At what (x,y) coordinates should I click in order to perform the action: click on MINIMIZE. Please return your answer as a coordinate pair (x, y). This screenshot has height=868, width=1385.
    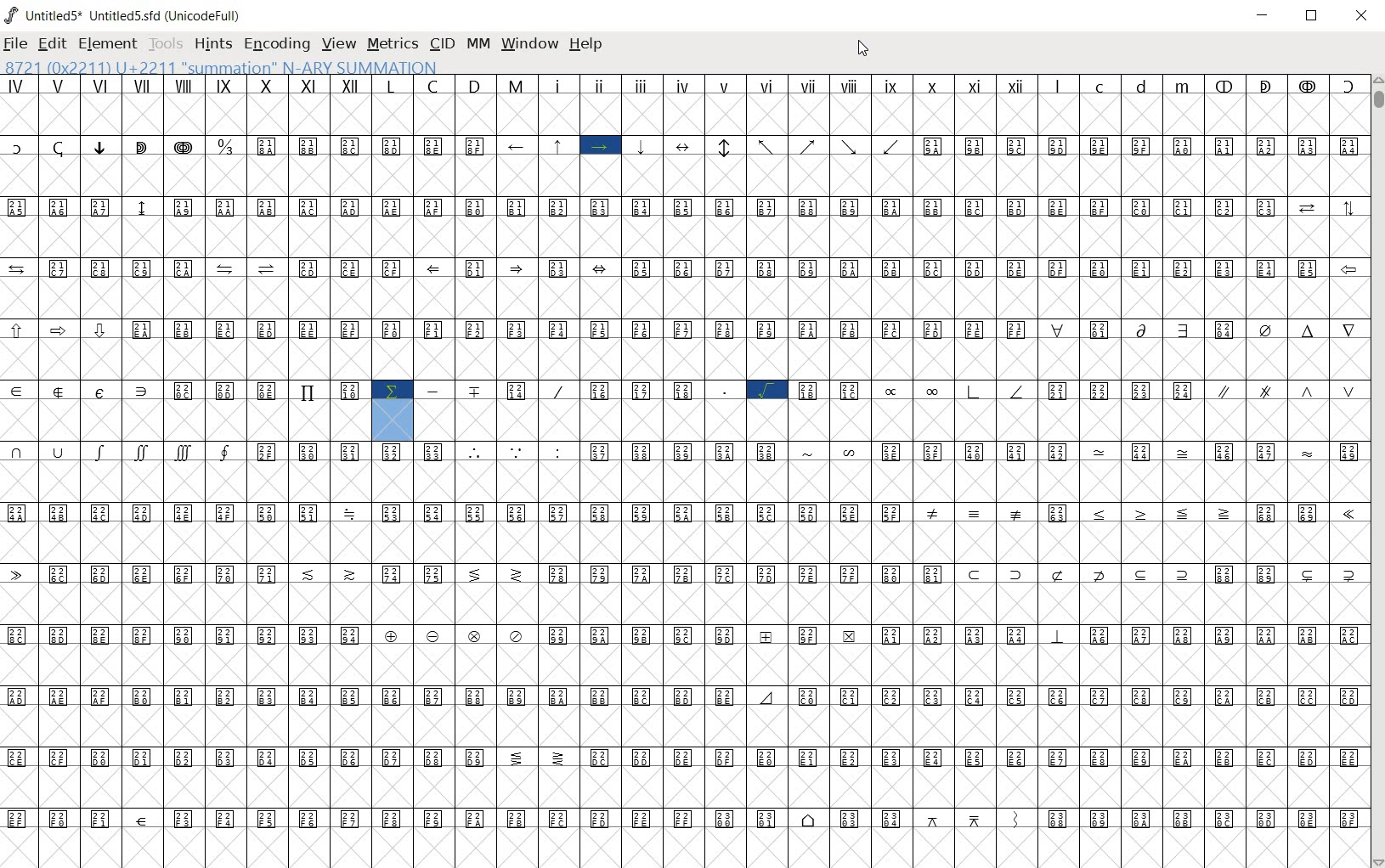
    Looking at the image, I should click on (1265, 15).